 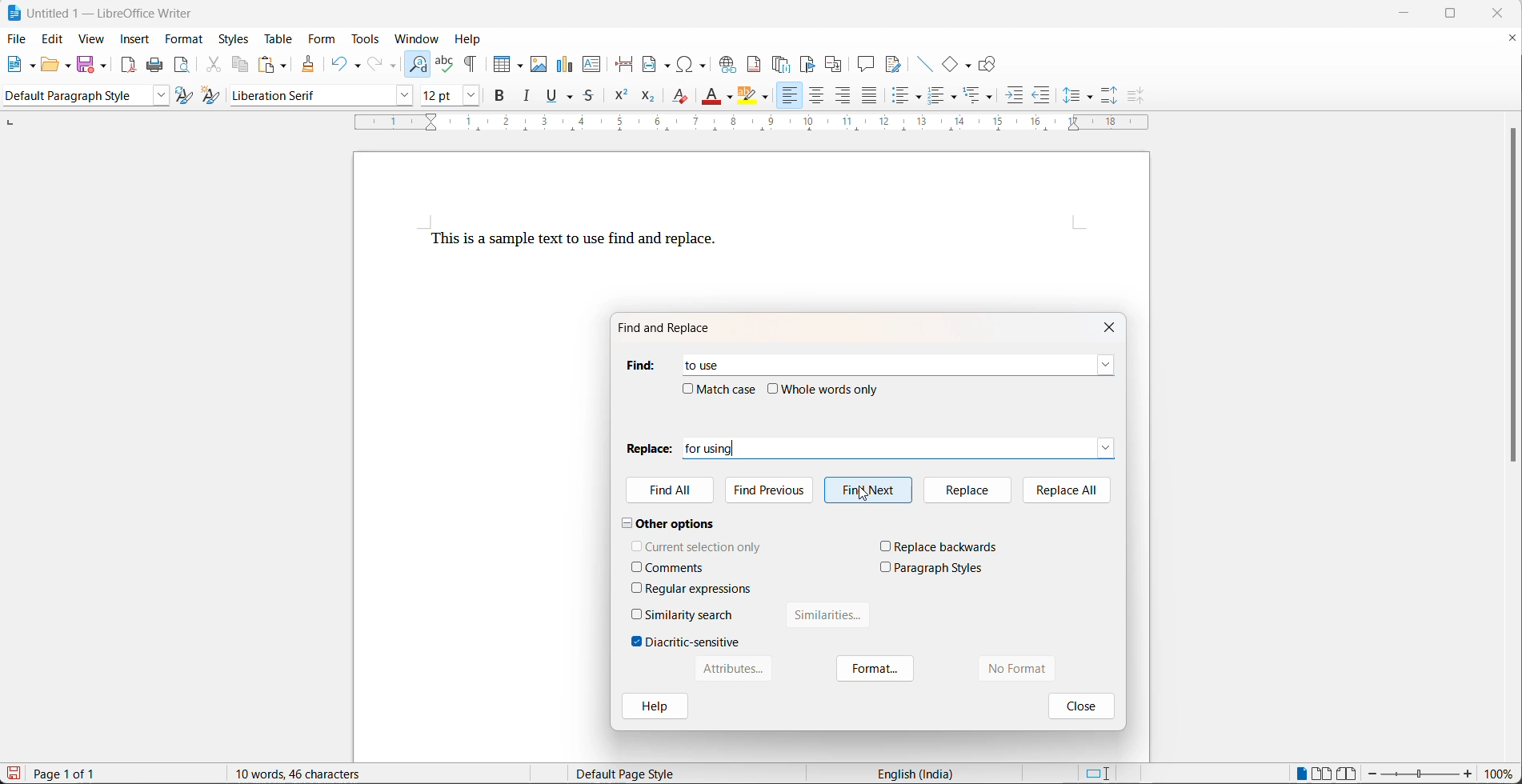 I want to click on minimize, so click(x=1412, y=12).